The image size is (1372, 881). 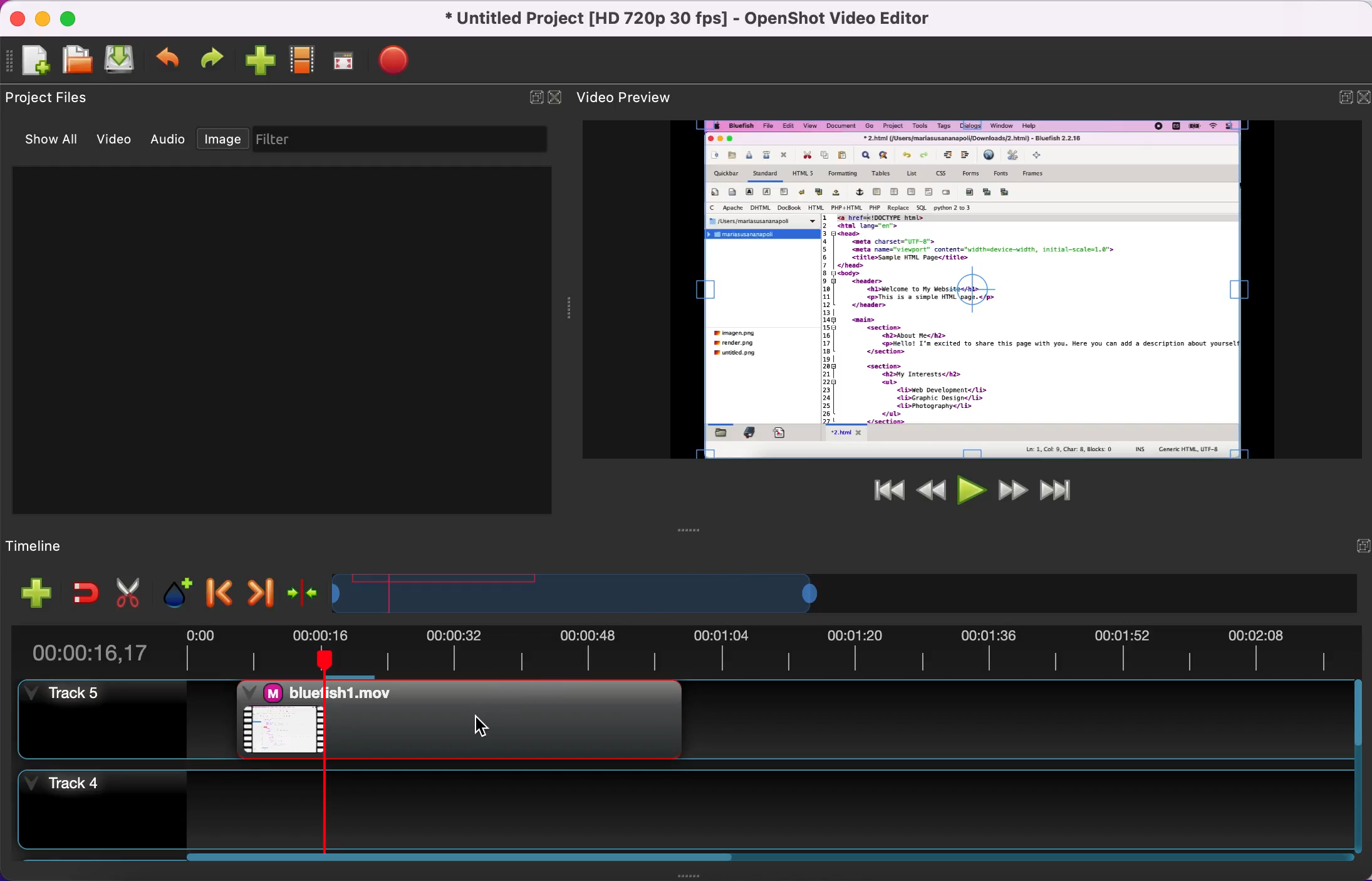 What do you see at coordinates (256, 590) in the screenshot?
I see `next marker` at bounding box center [256, 590].